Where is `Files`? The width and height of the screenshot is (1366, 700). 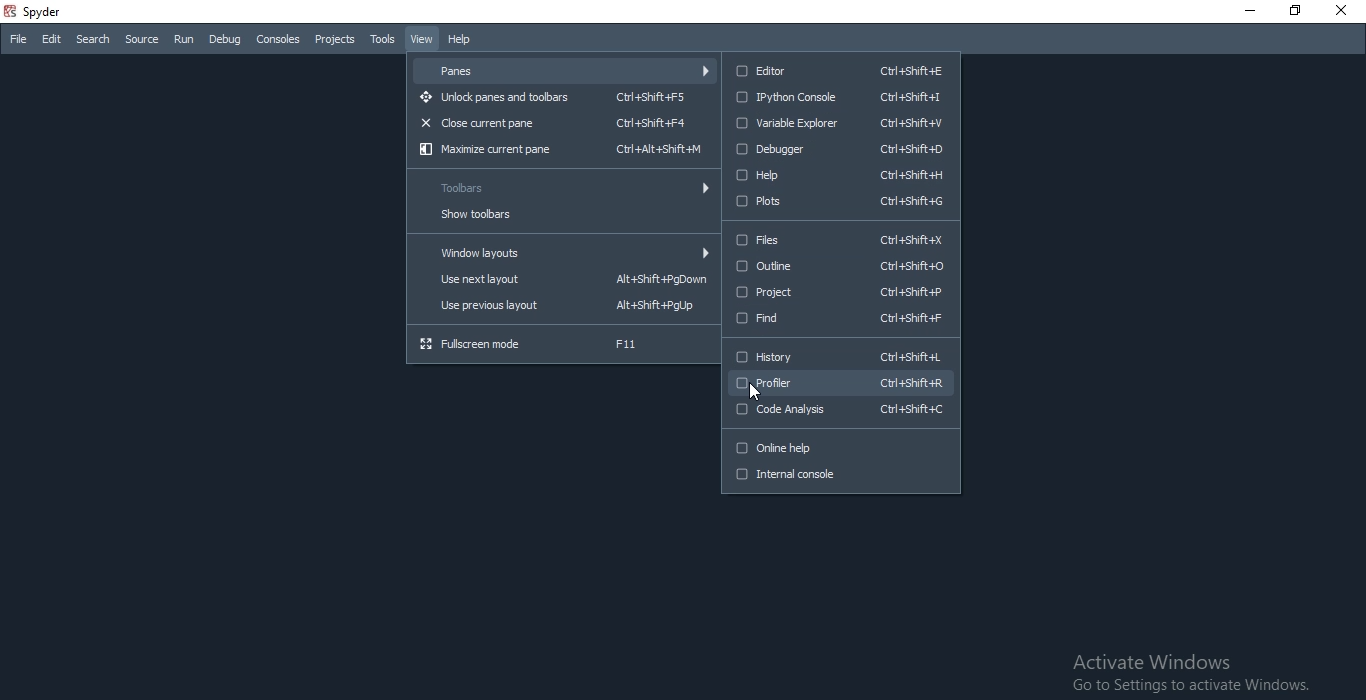 Files is located at coordinates (838, 240).